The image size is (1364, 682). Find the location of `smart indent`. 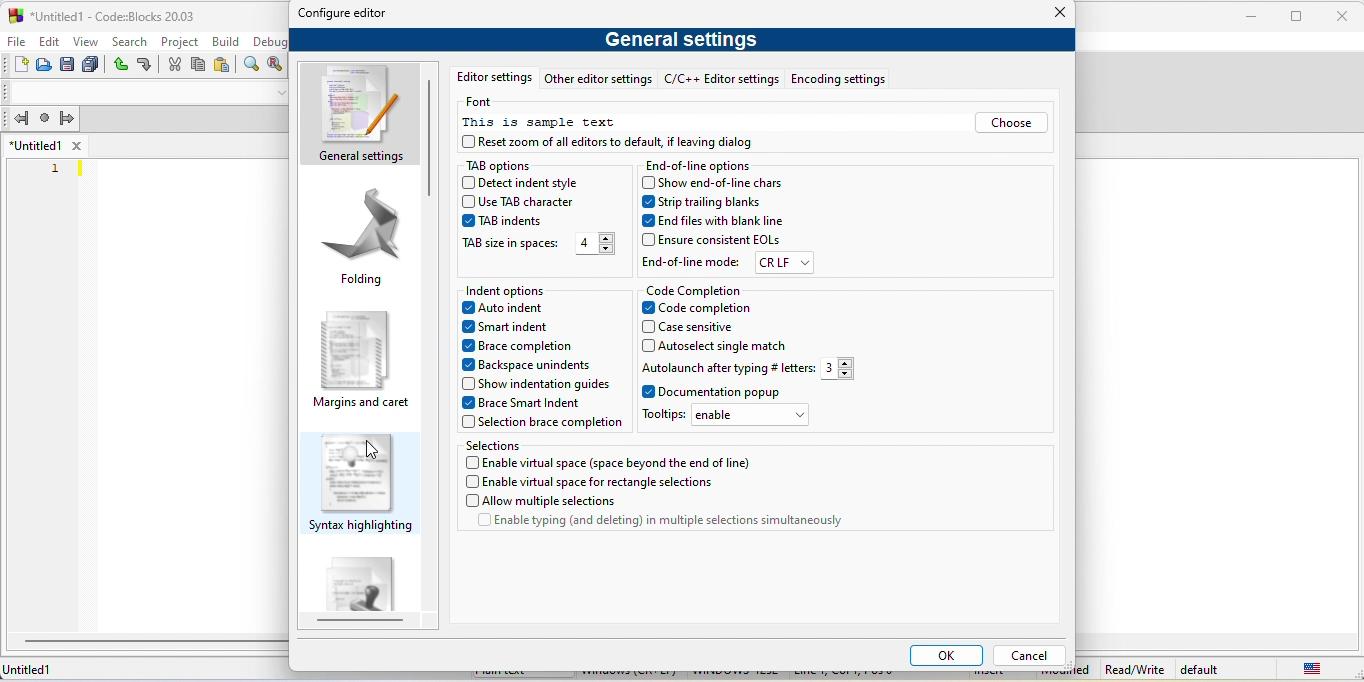

smart indent is located at coordinates (509, 328).